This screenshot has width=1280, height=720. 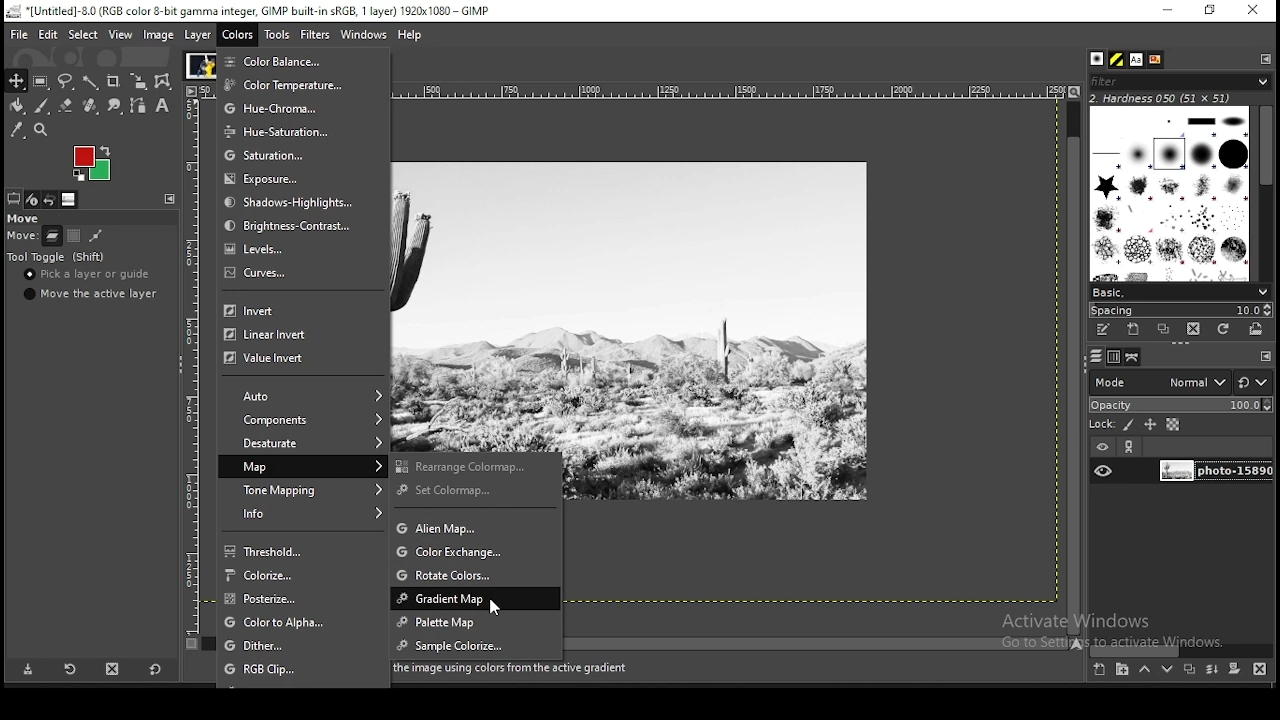 What do you see at coordinates (1159, 381) in the screenshot?
I see `mode` at bounding box center [1159, 381].